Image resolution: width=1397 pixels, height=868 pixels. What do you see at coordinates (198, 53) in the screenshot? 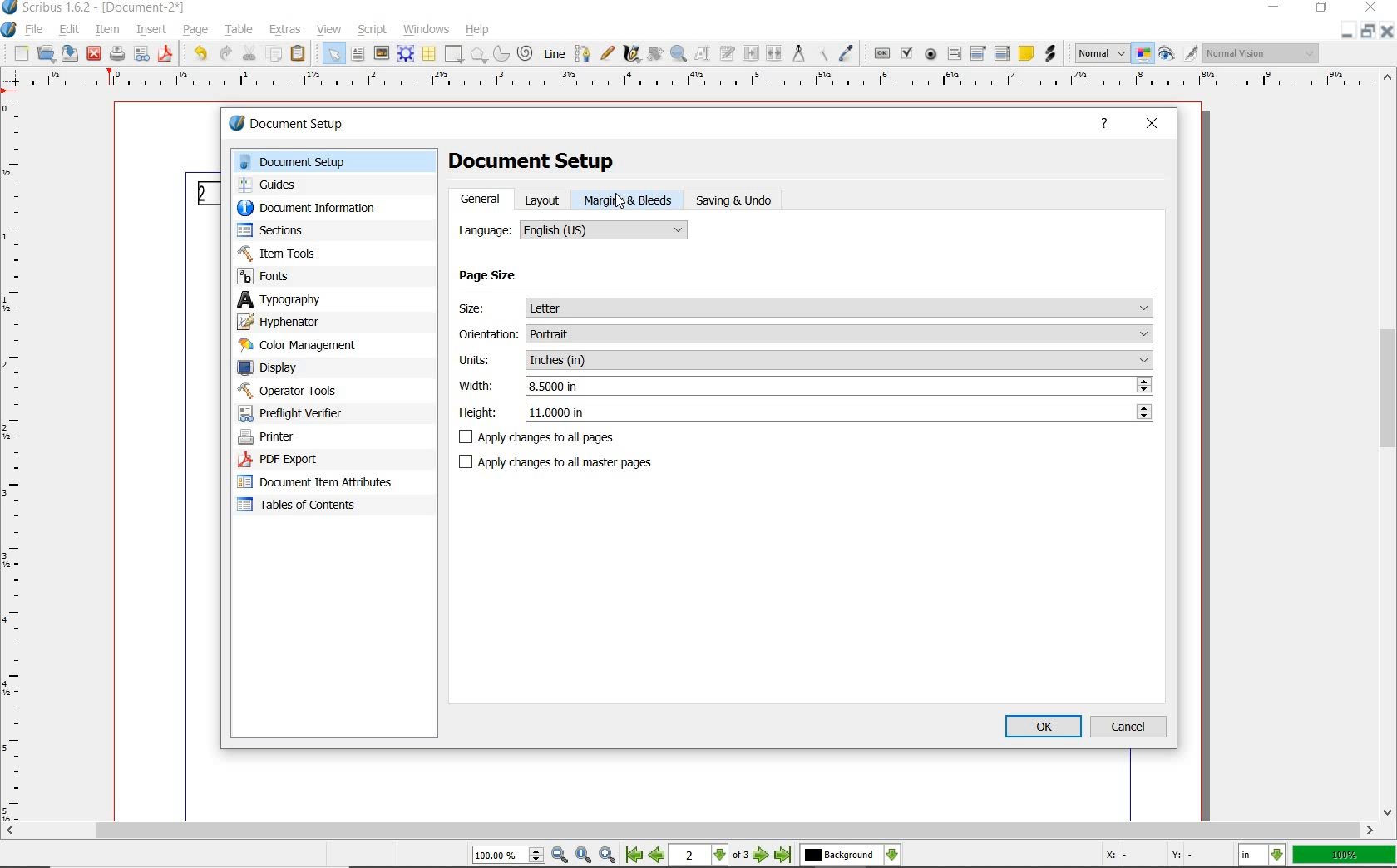
I see `undo` at bounding box center [198, 53].